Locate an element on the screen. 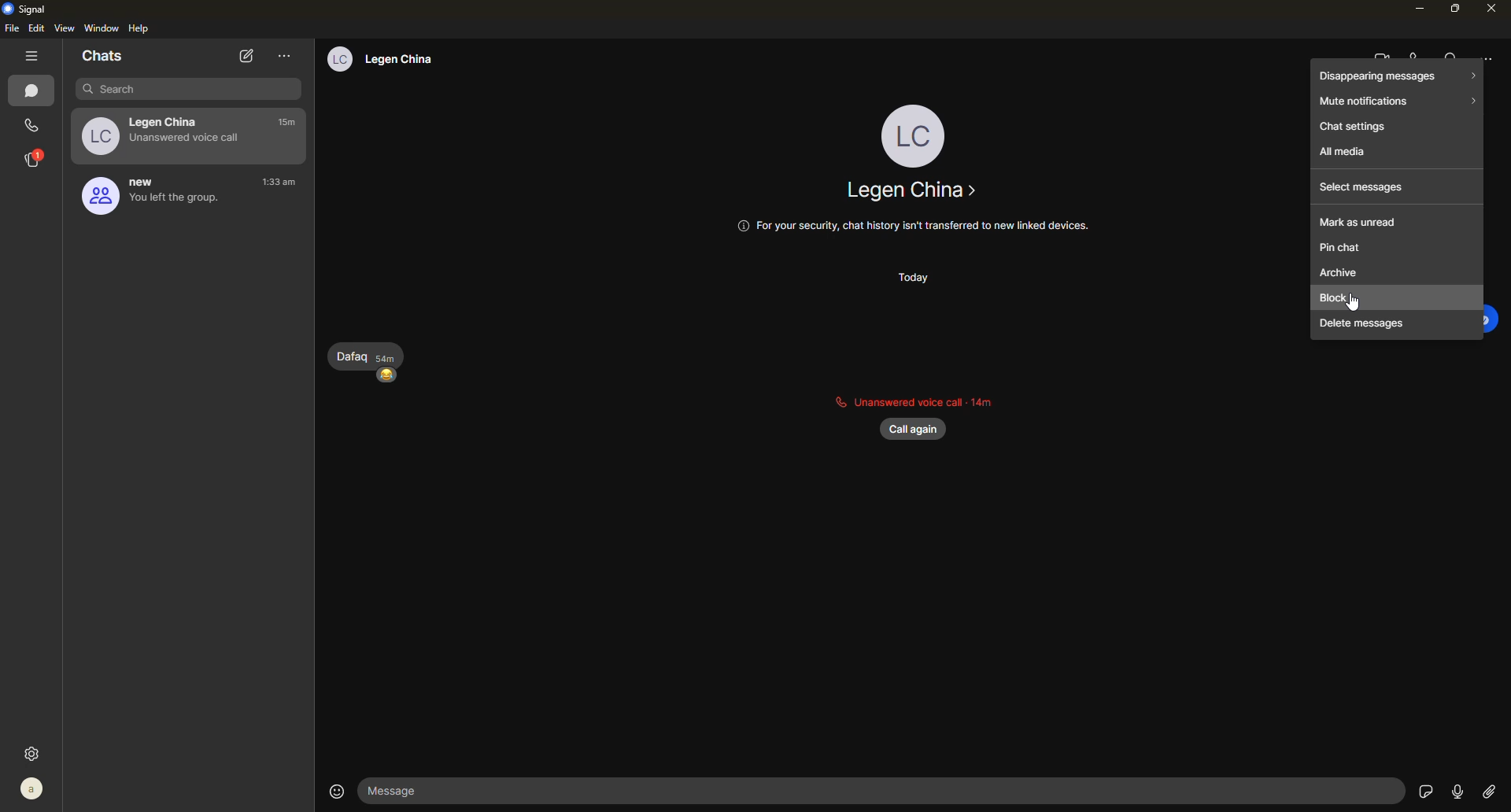  minimize is located at coordinates (1410, 9).